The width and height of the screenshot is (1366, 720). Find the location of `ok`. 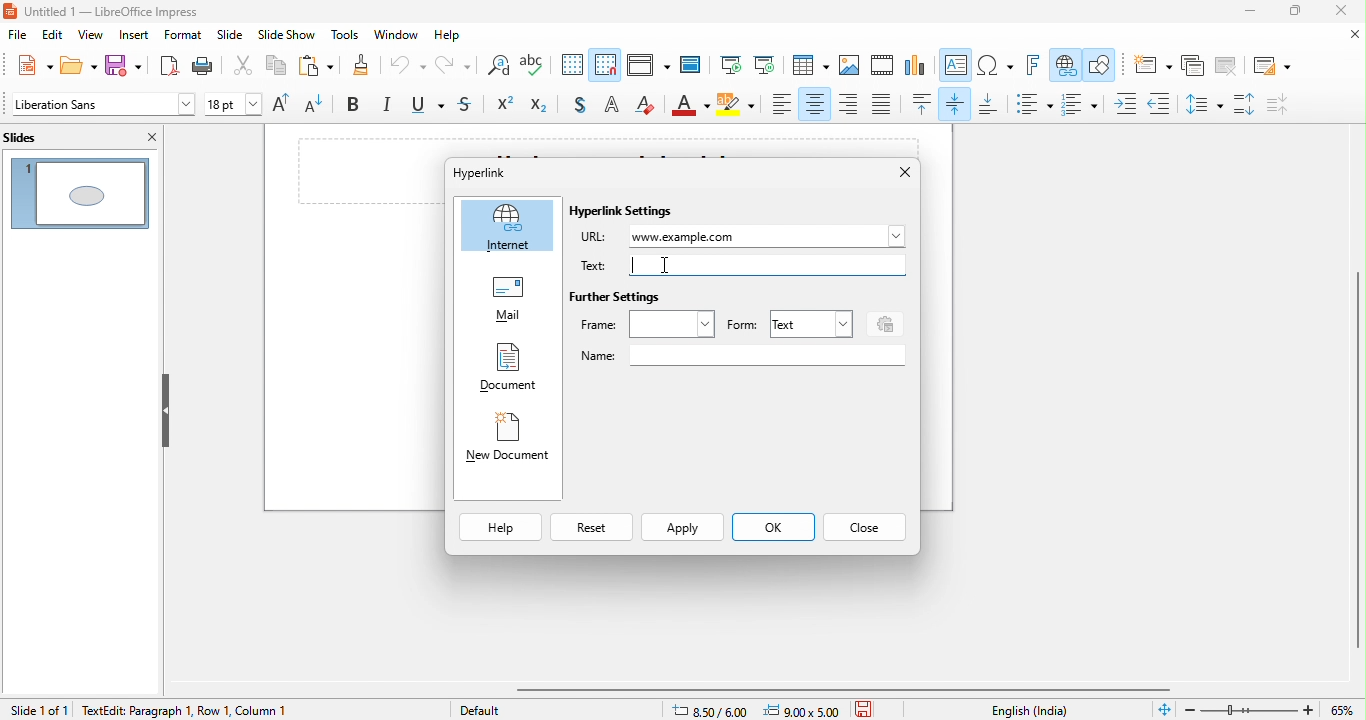

ok is located at coordinates (772, 529).